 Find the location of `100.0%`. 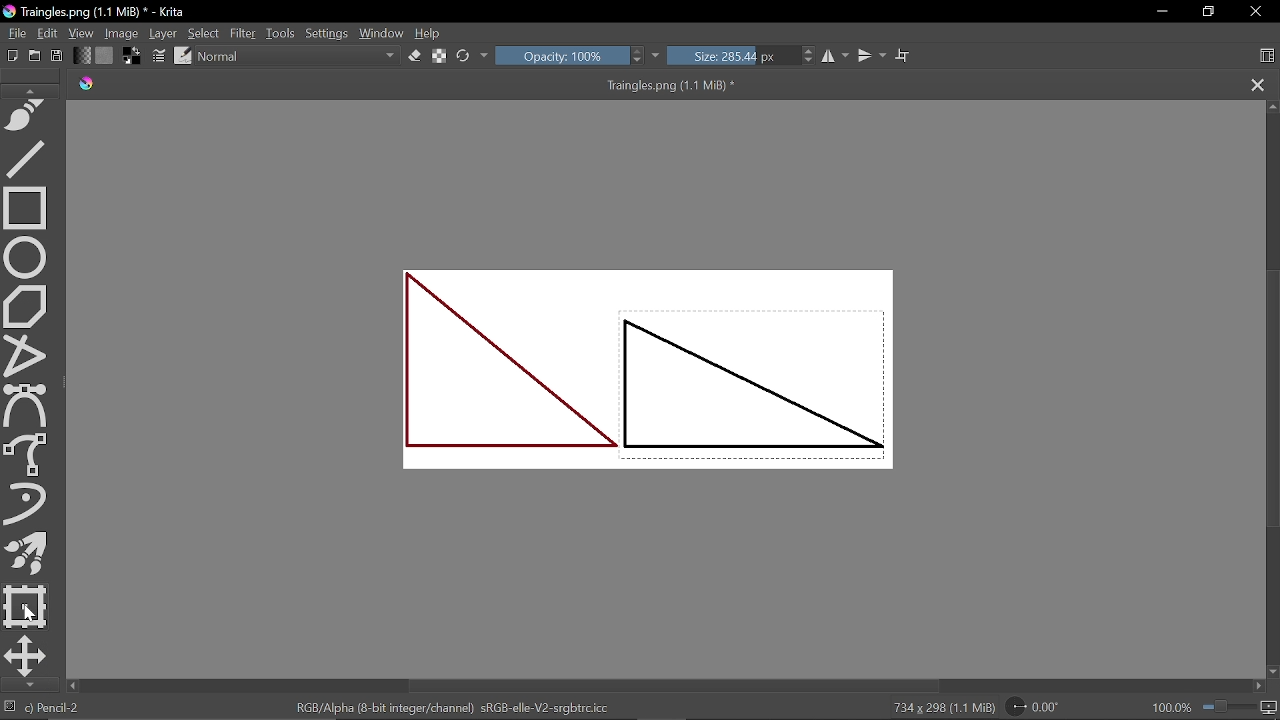

100.0% is located at coordinates (1215, 707).